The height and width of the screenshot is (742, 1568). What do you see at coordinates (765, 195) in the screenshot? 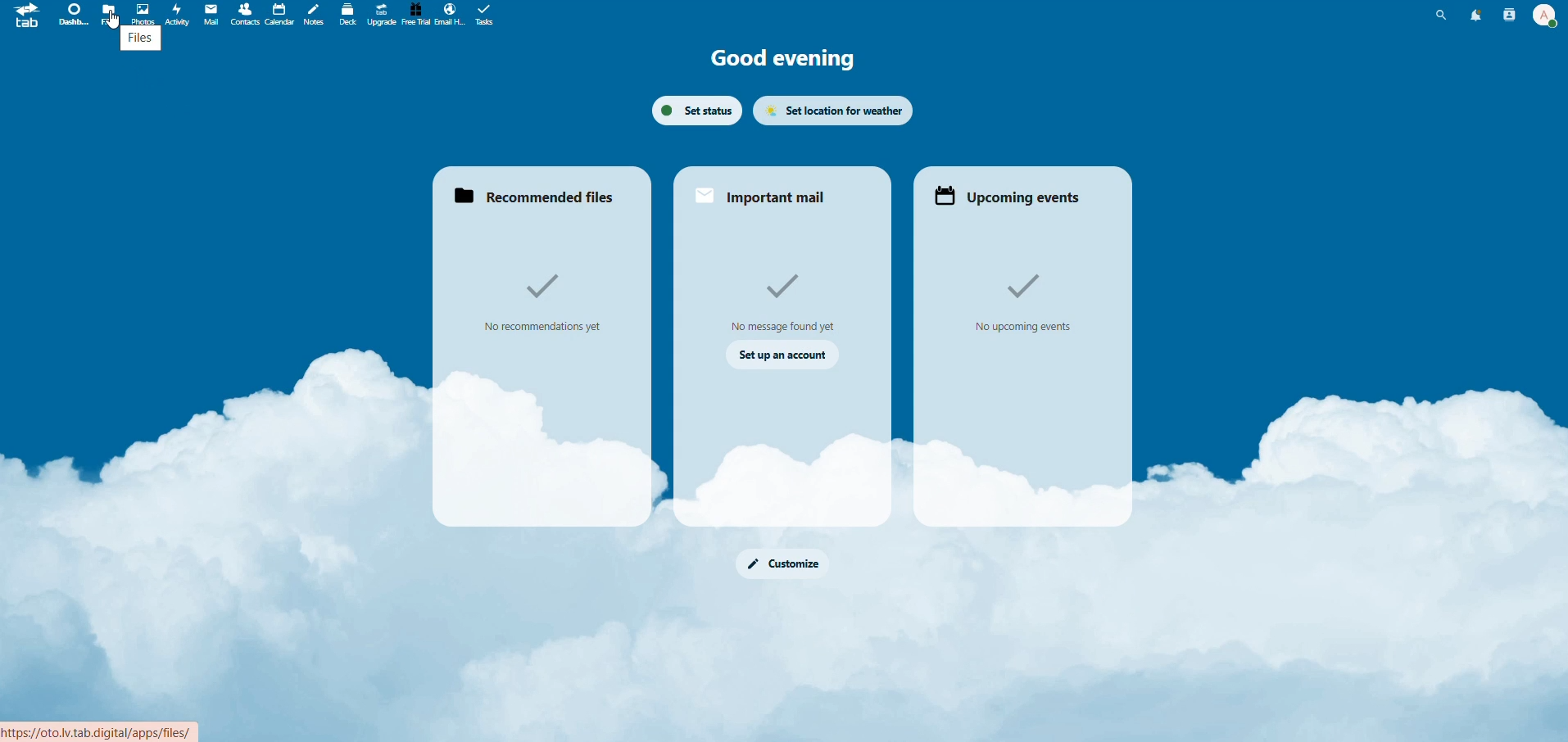
I see `Important Mail` at bounding box center [765, 195].